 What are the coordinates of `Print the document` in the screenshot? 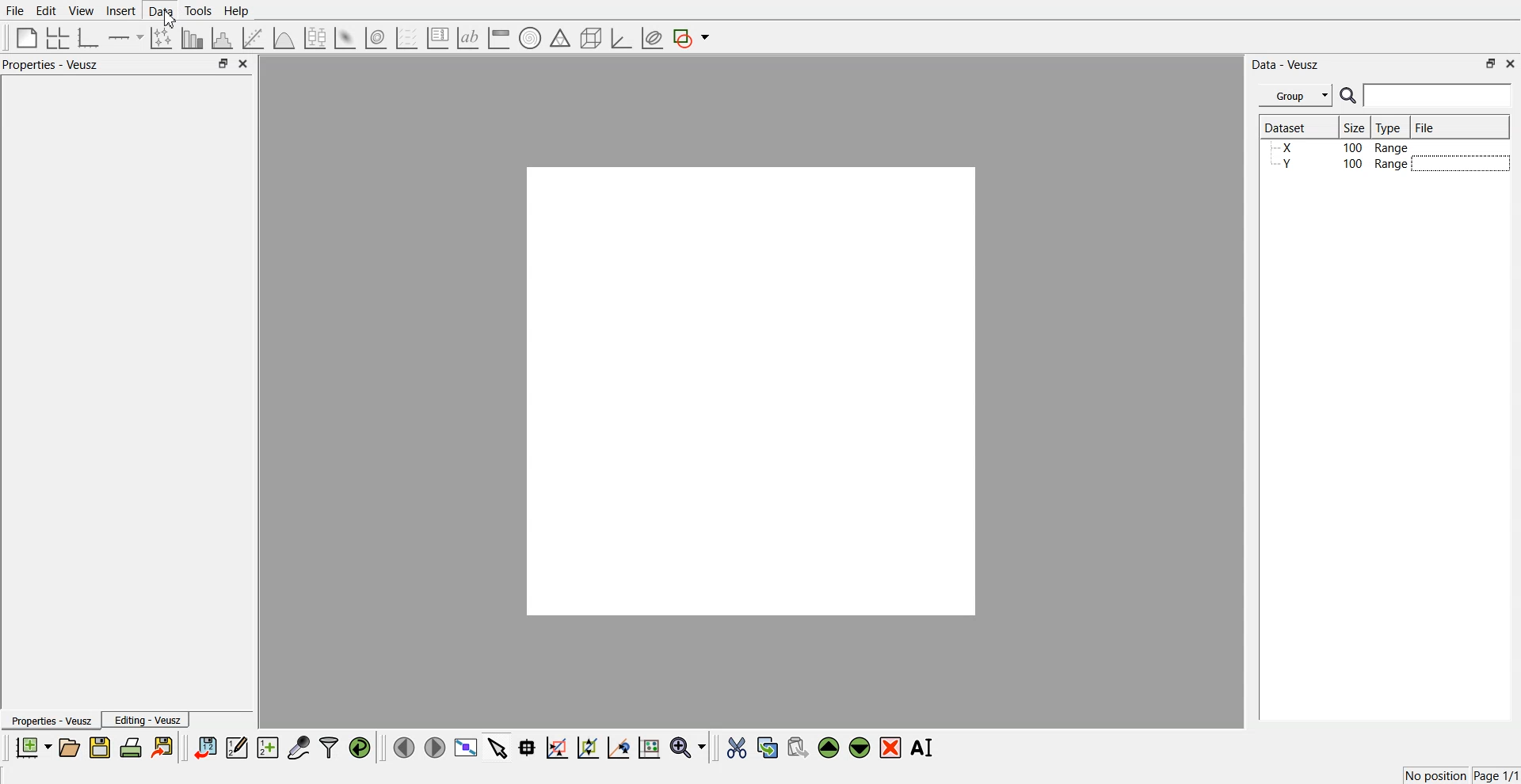 It's located at (130, 747).